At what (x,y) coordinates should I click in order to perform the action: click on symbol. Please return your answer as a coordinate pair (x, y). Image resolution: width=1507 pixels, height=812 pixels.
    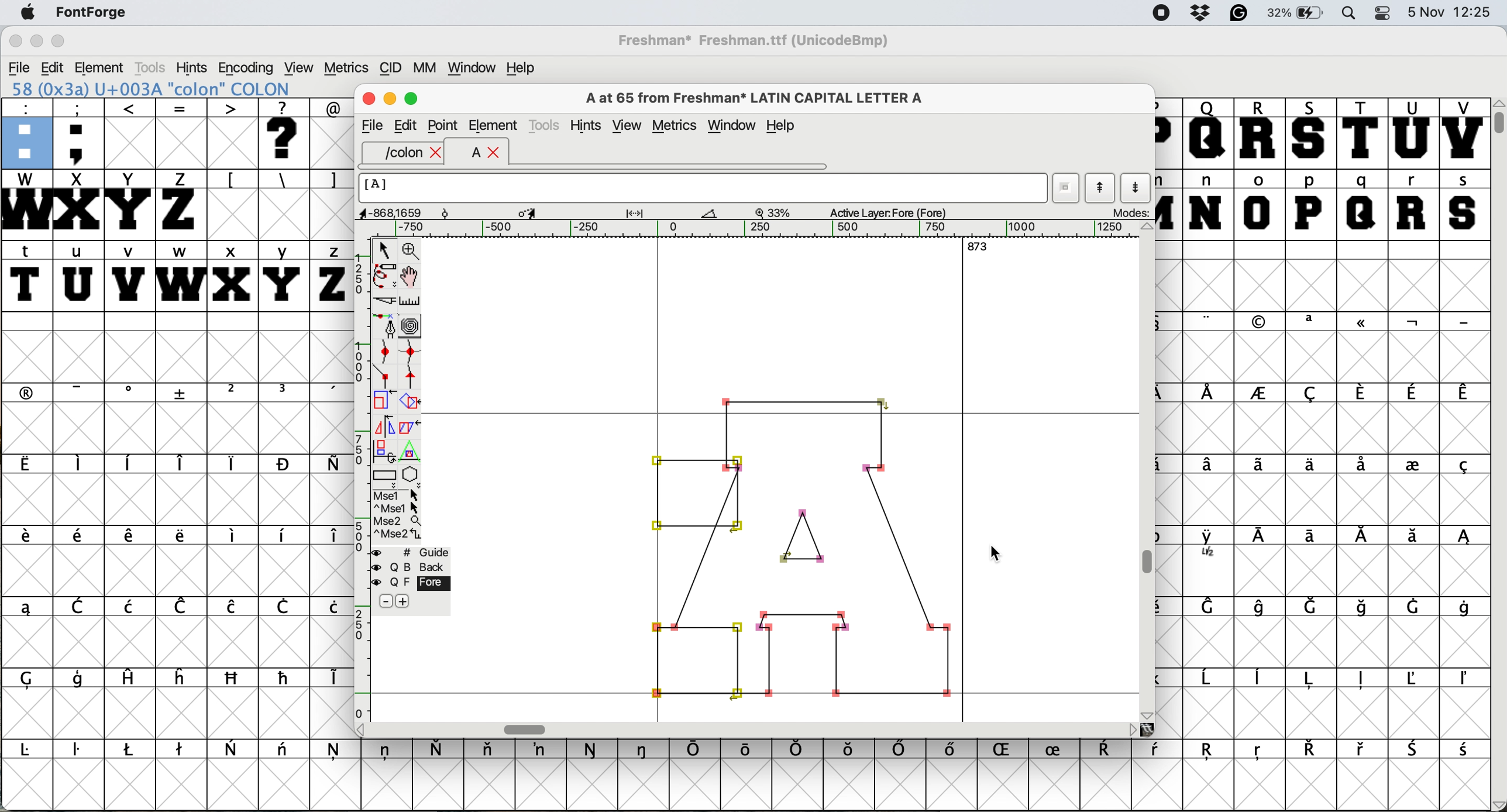
    Looking at the image, I should click on (1363, 749).